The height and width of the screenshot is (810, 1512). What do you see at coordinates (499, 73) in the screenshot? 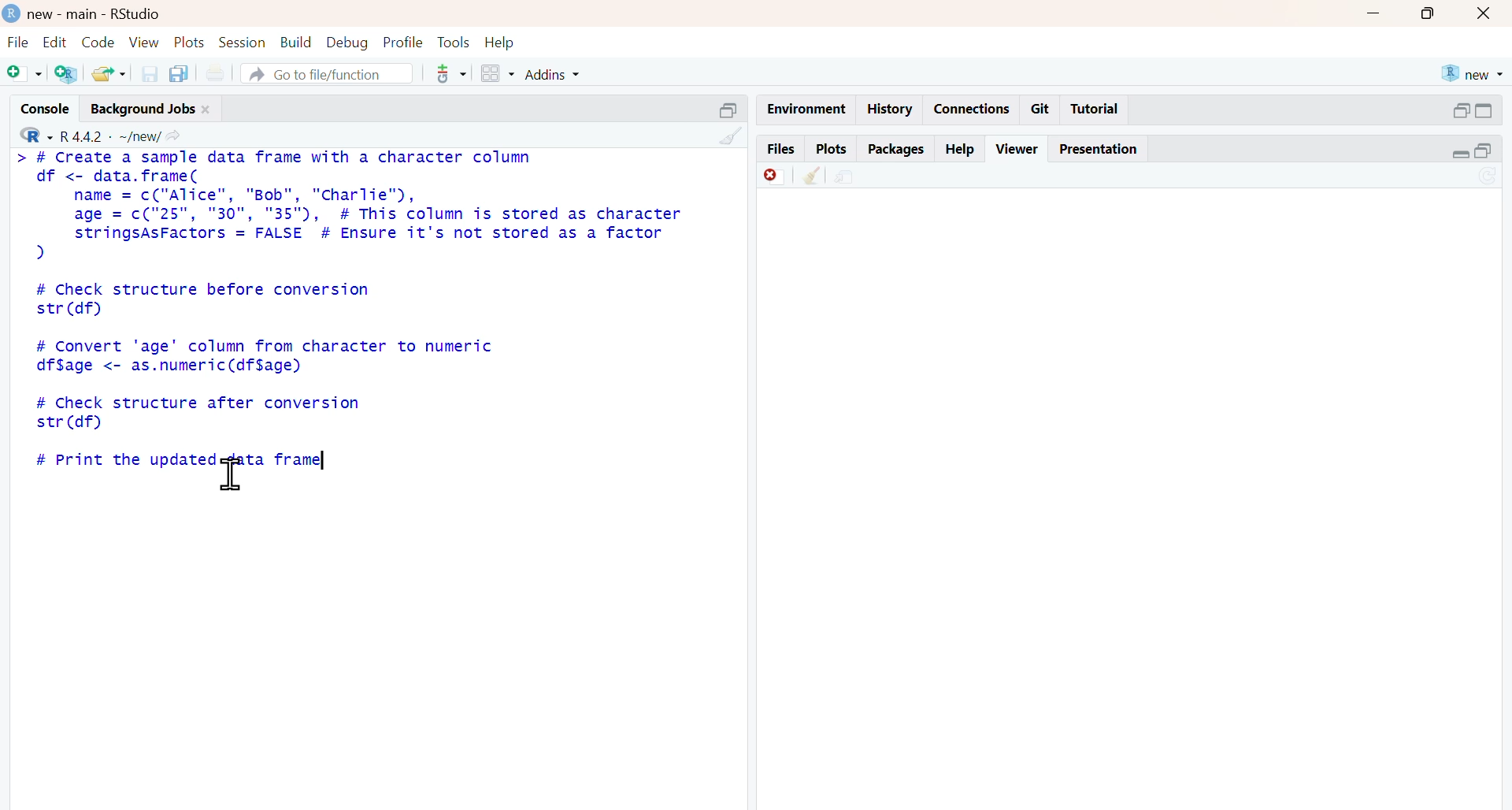
I see `grid` at bounding box center [499, 73].